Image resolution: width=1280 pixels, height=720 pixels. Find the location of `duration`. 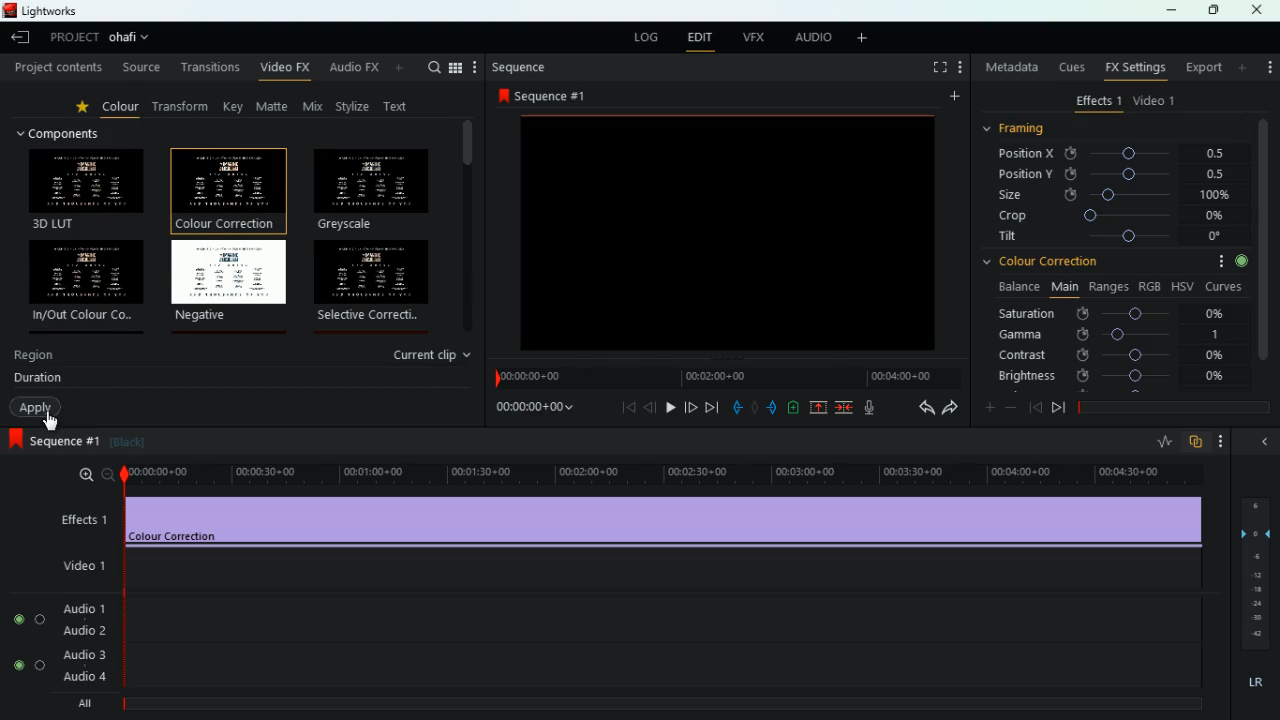

duration is located at coordinates (38, 380).